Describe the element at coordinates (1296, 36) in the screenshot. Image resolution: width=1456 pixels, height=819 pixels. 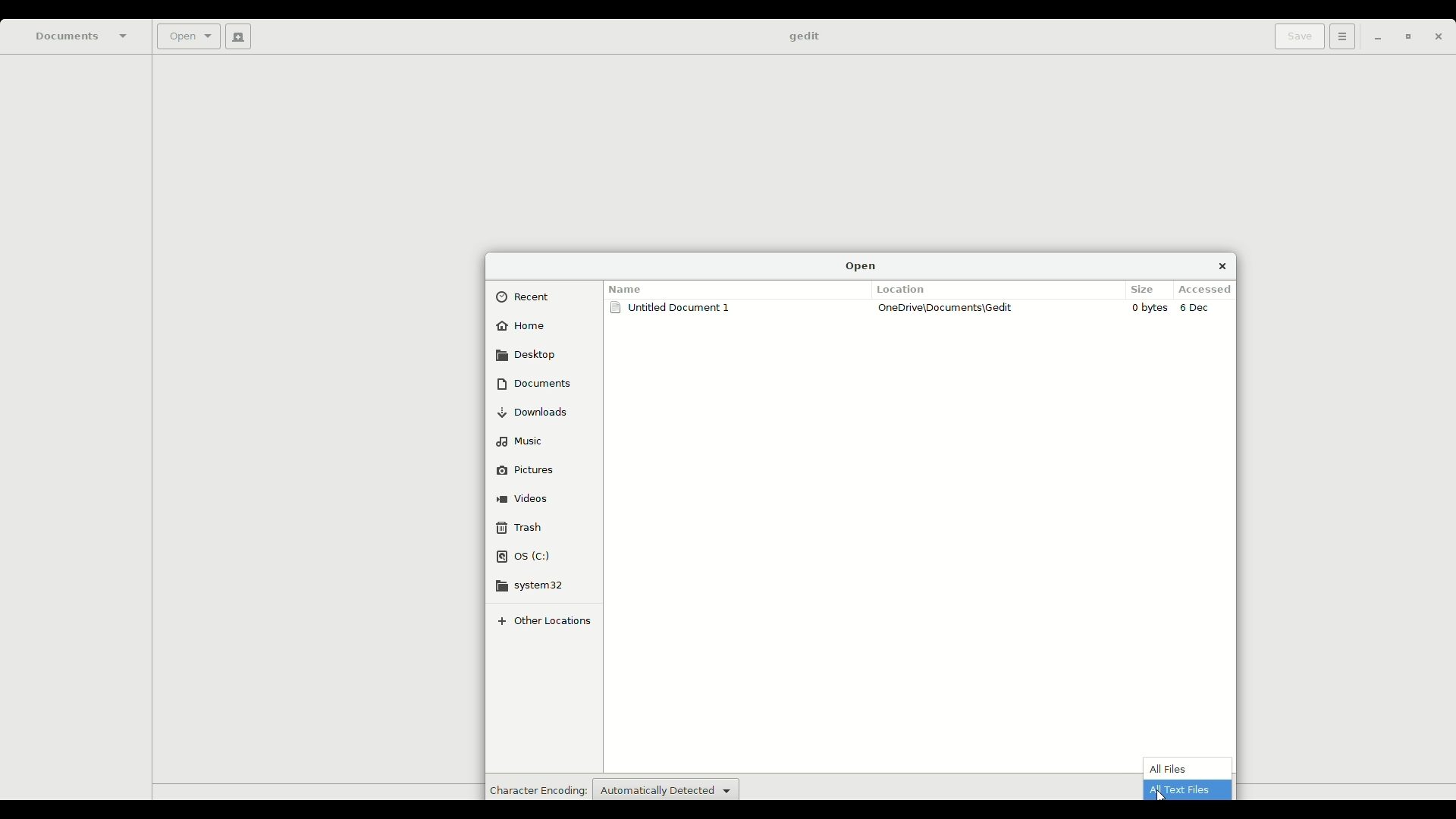
I see `Save` at that location.